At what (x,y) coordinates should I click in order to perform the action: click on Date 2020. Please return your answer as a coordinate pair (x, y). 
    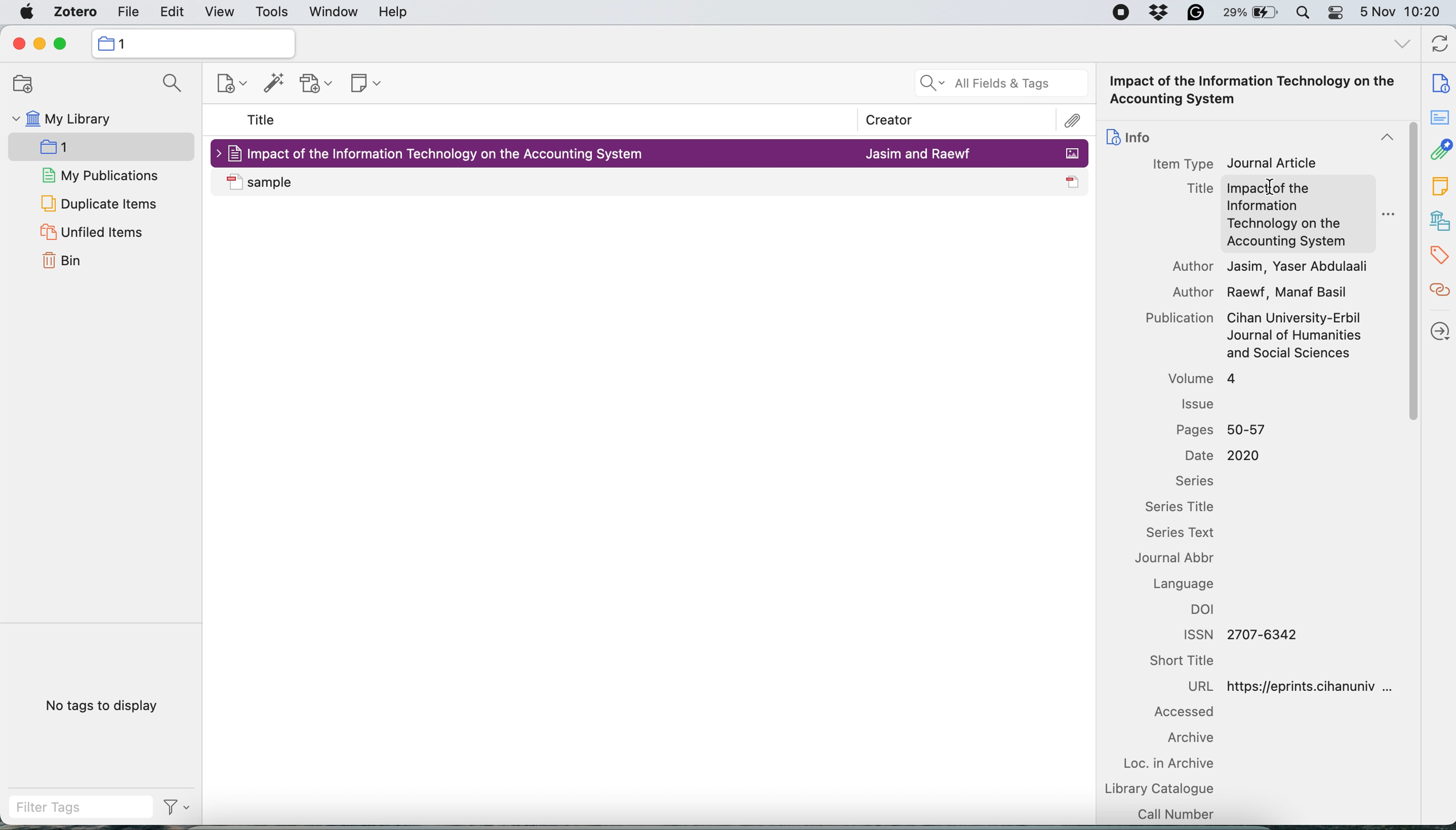
    Looking at the image, I should click on (1228, 456).